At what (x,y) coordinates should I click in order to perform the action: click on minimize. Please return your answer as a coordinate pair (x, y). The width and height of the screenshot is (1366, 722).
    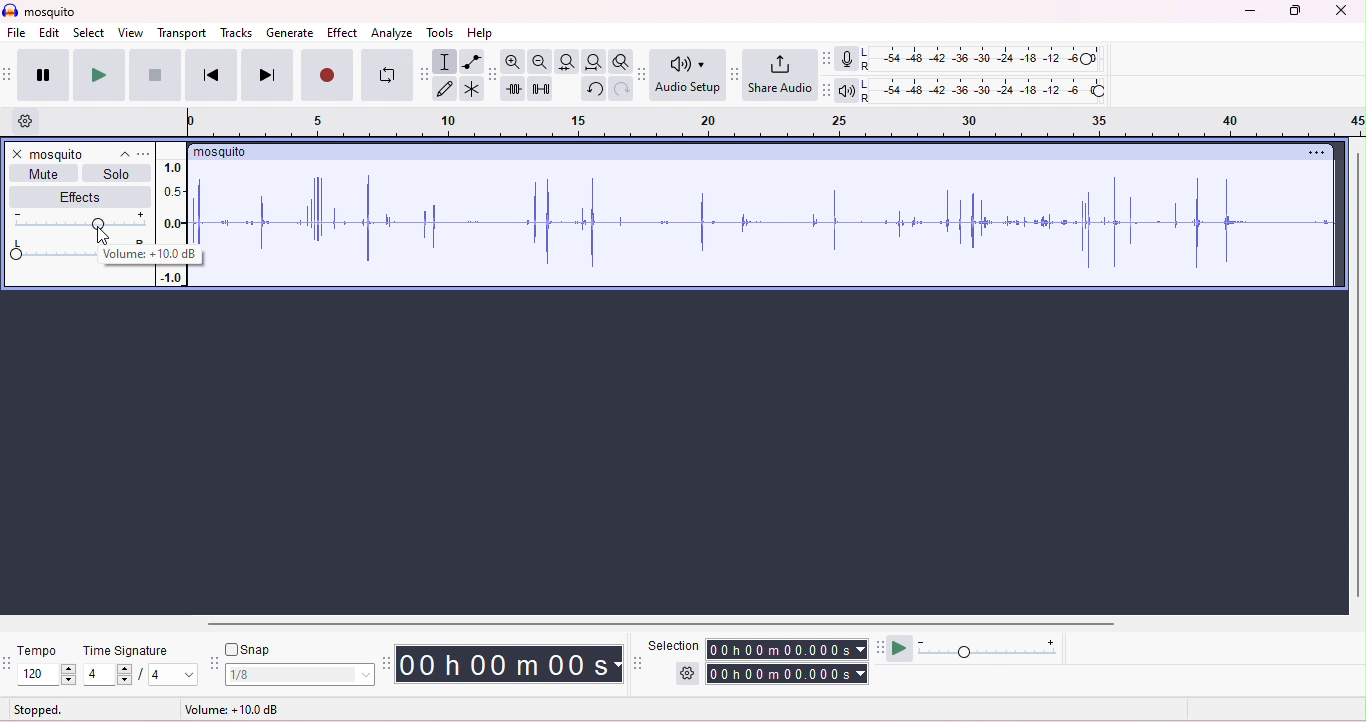
    Looking at the image, I should click on (1249, 11).